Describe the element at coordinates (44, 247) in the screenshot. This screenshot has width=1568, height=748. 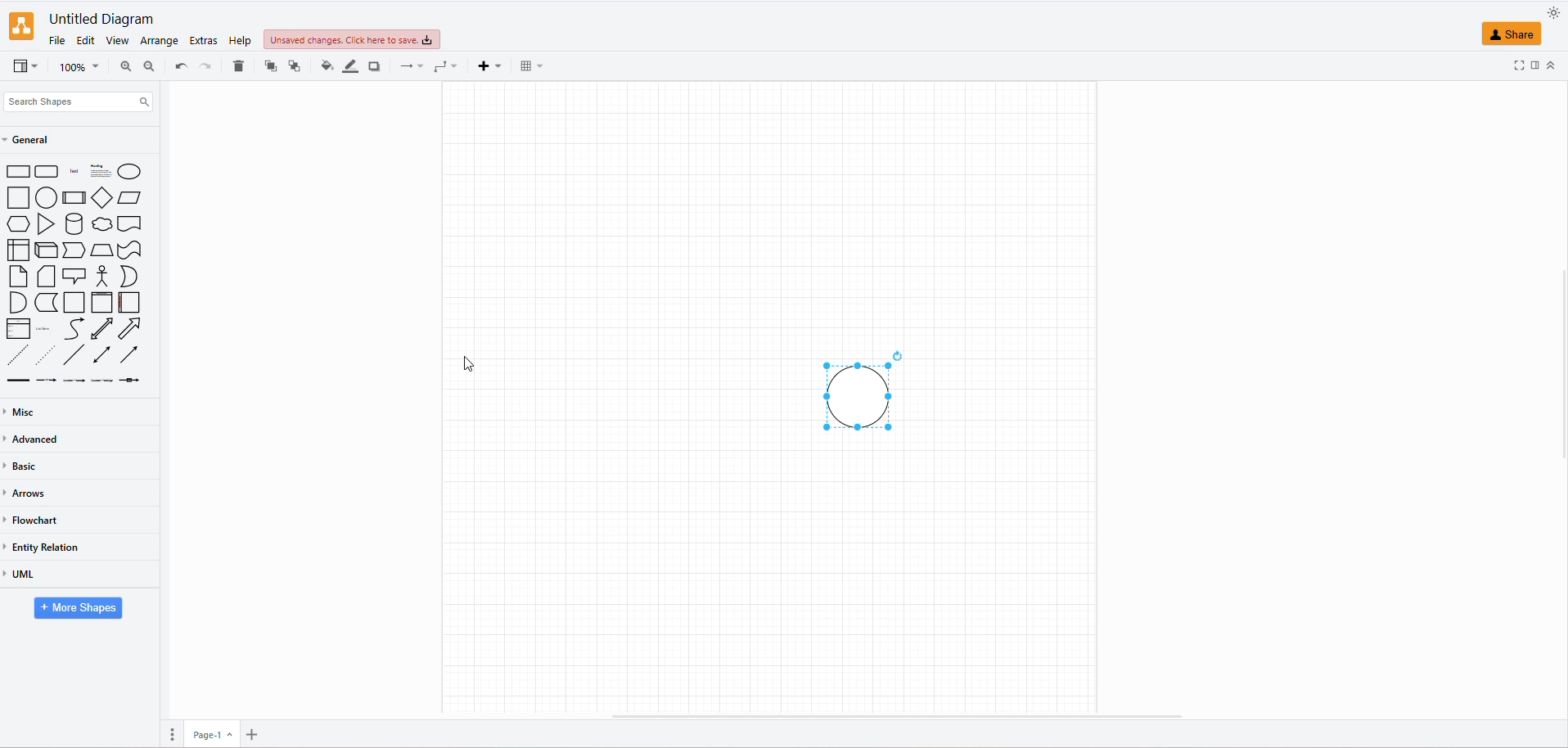
I see `CUBE` at that location.